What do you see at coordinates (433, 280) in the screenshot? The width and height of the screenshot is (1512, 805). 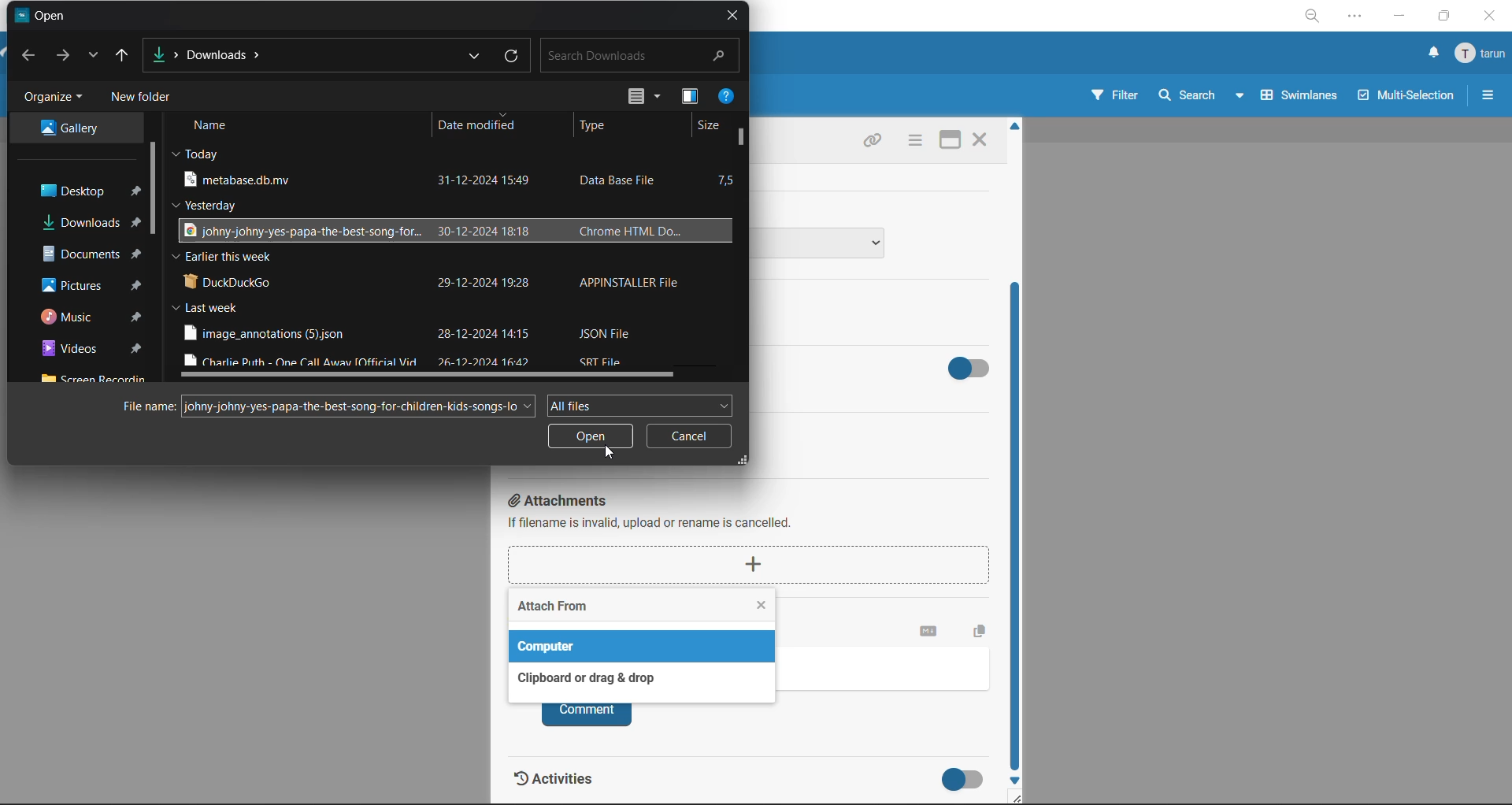 I see `file with date and type` at bounding box center [433, 280].